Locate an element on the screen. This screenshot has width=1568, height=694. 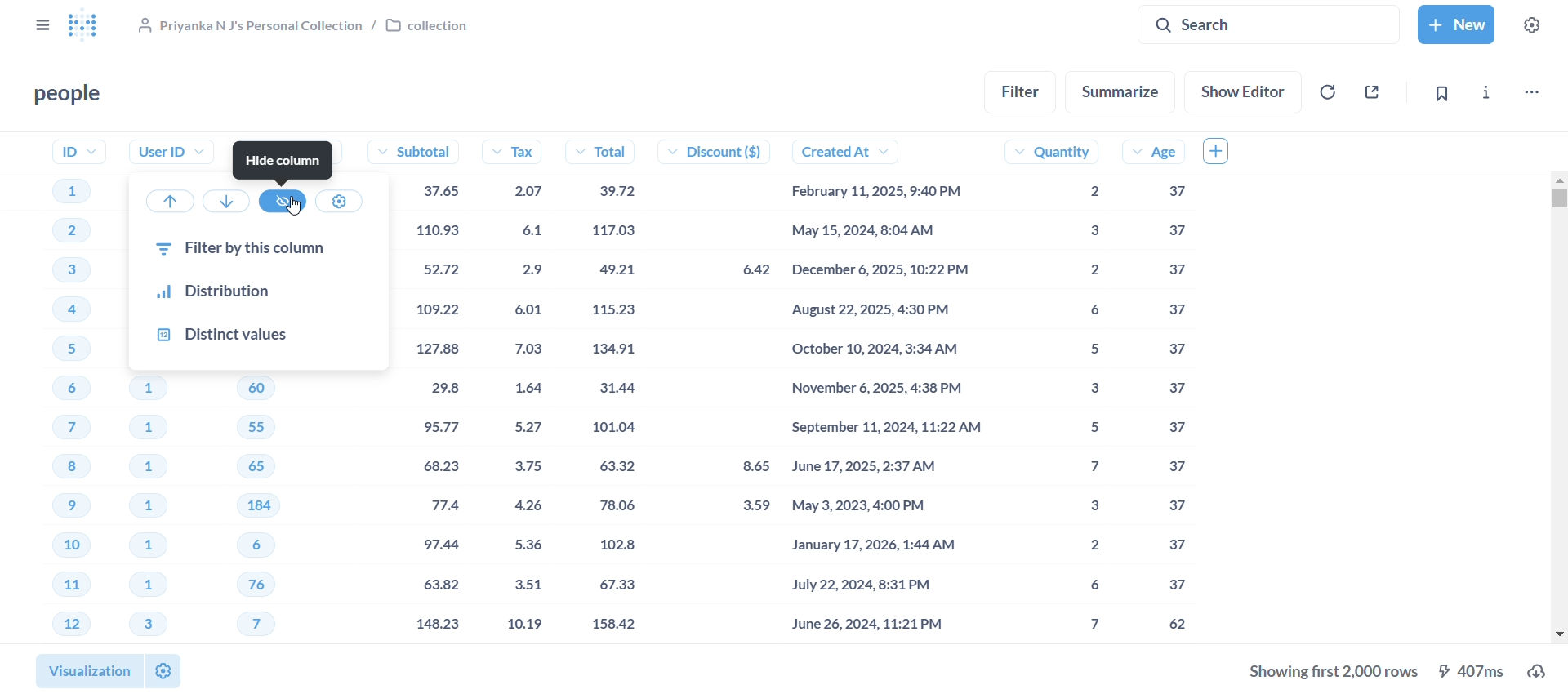
settings is located at coordinates (1536, 24).